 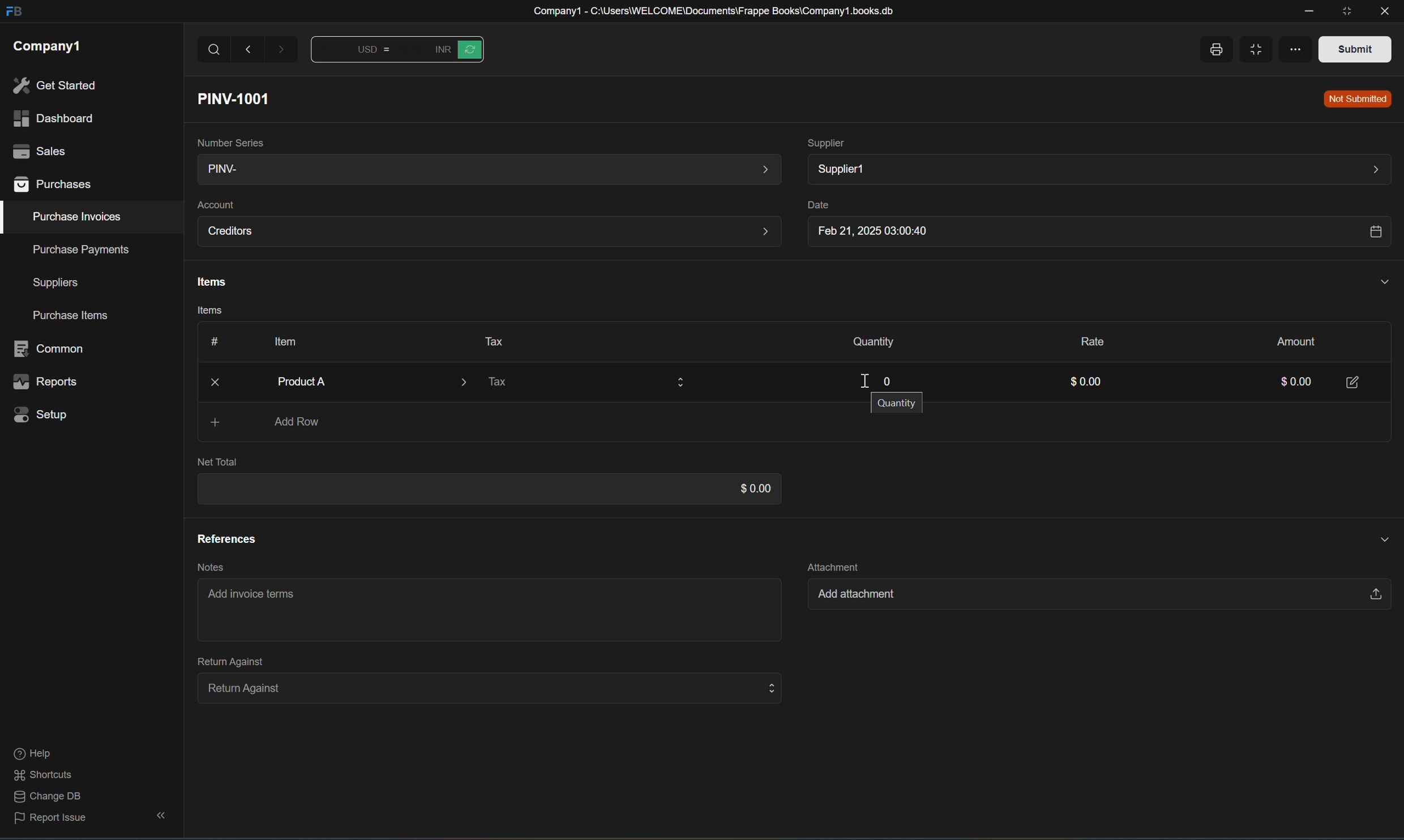 I want to click on , so click(x=210, y=341).